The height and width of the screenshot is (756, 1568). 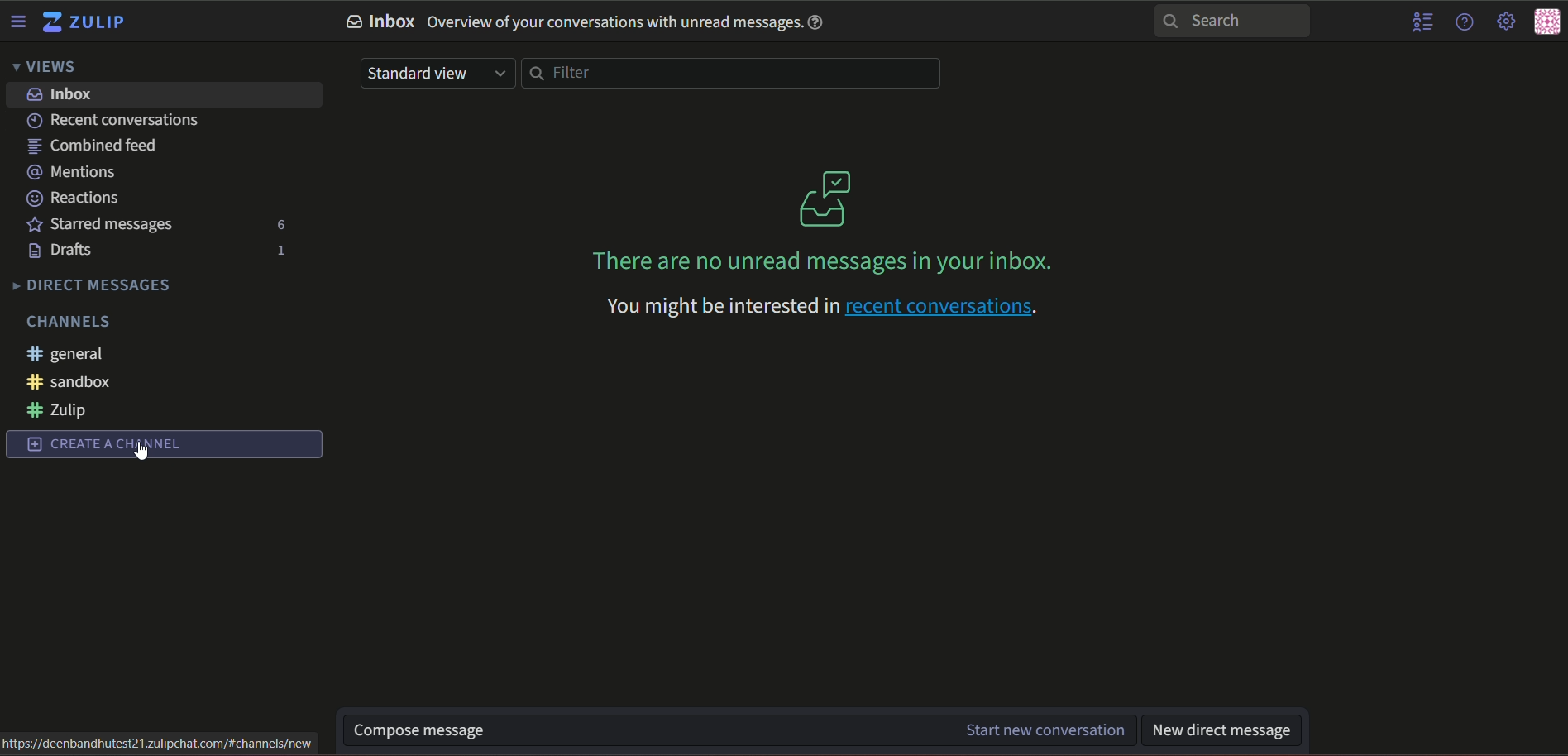 I want to click on There are no unread messages in your inbox. You might be interested in recent conversations, so click(x=837, y=285).